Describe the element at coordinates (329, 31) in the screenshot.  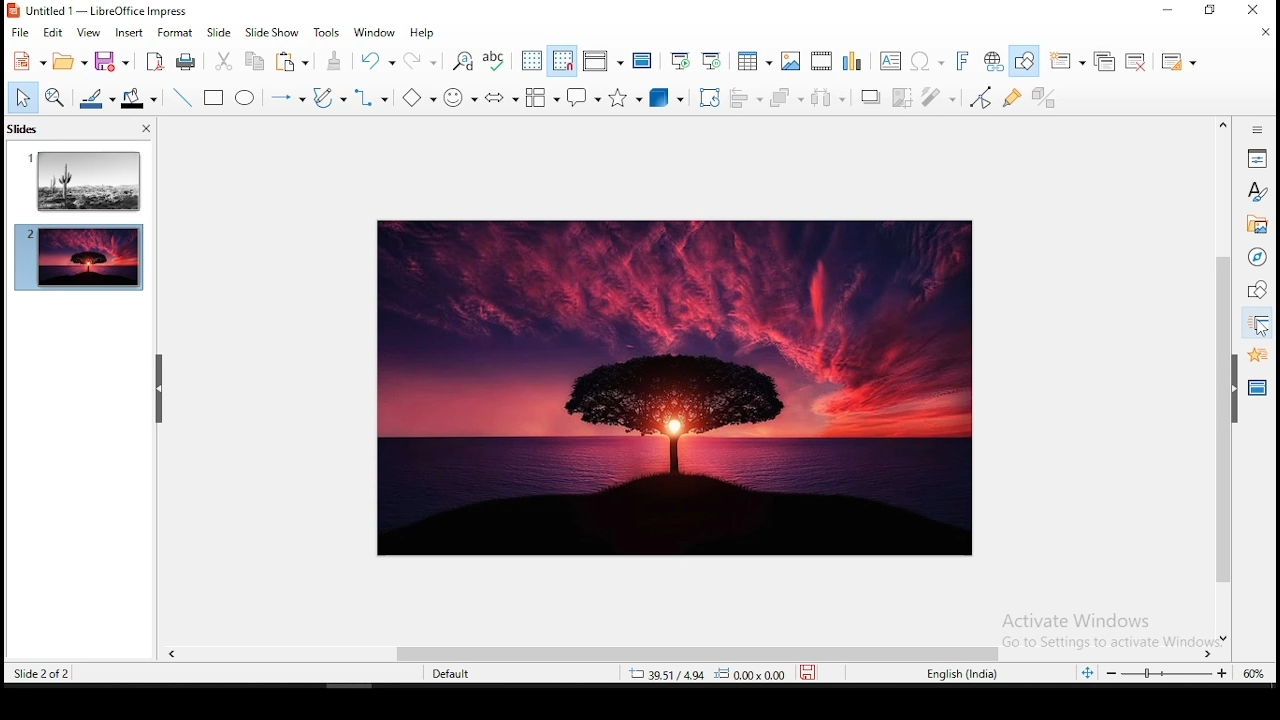
I see `tools` at that location.